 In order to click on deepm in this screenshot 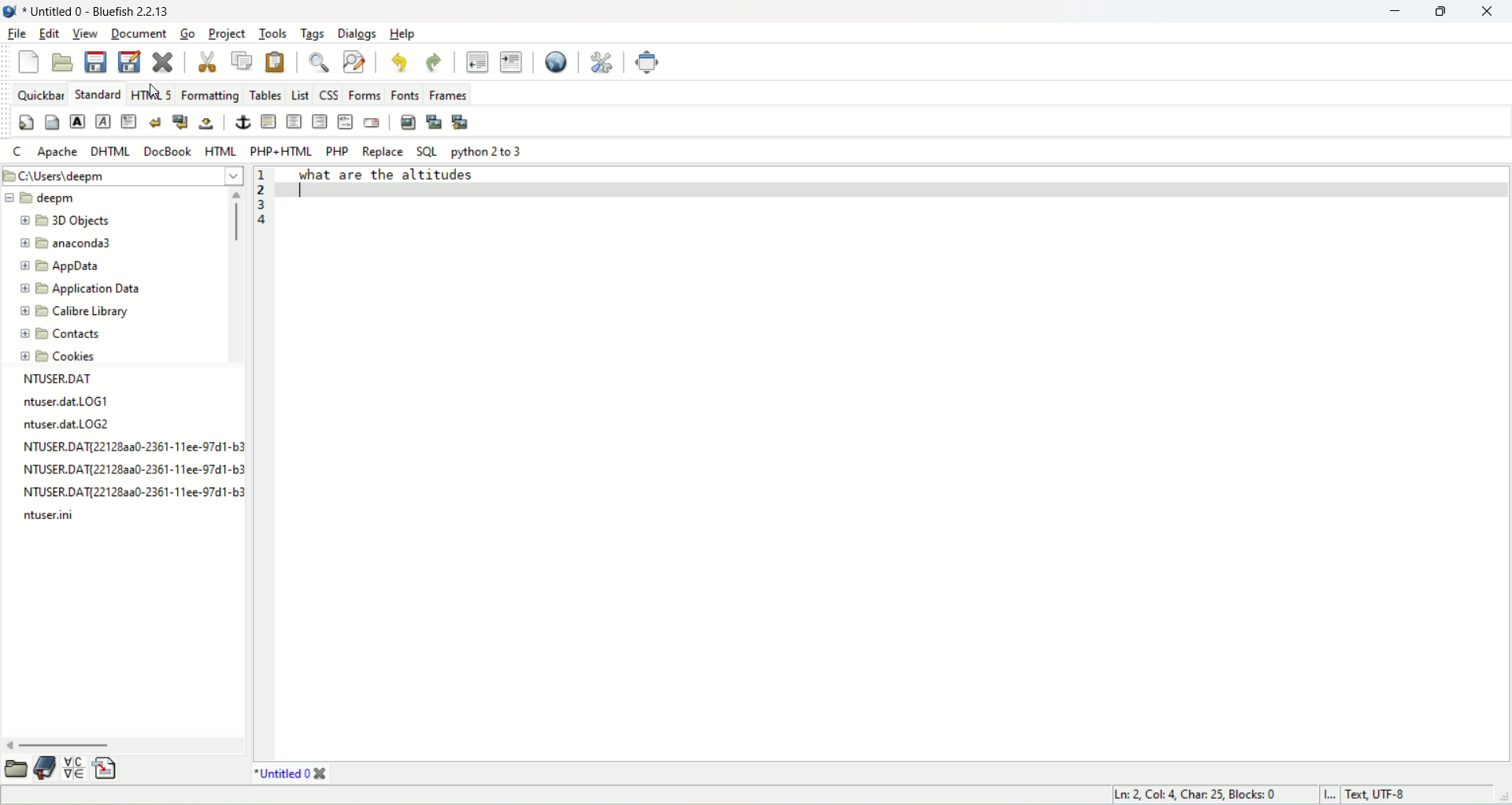, I will do `click(89, 196)`.